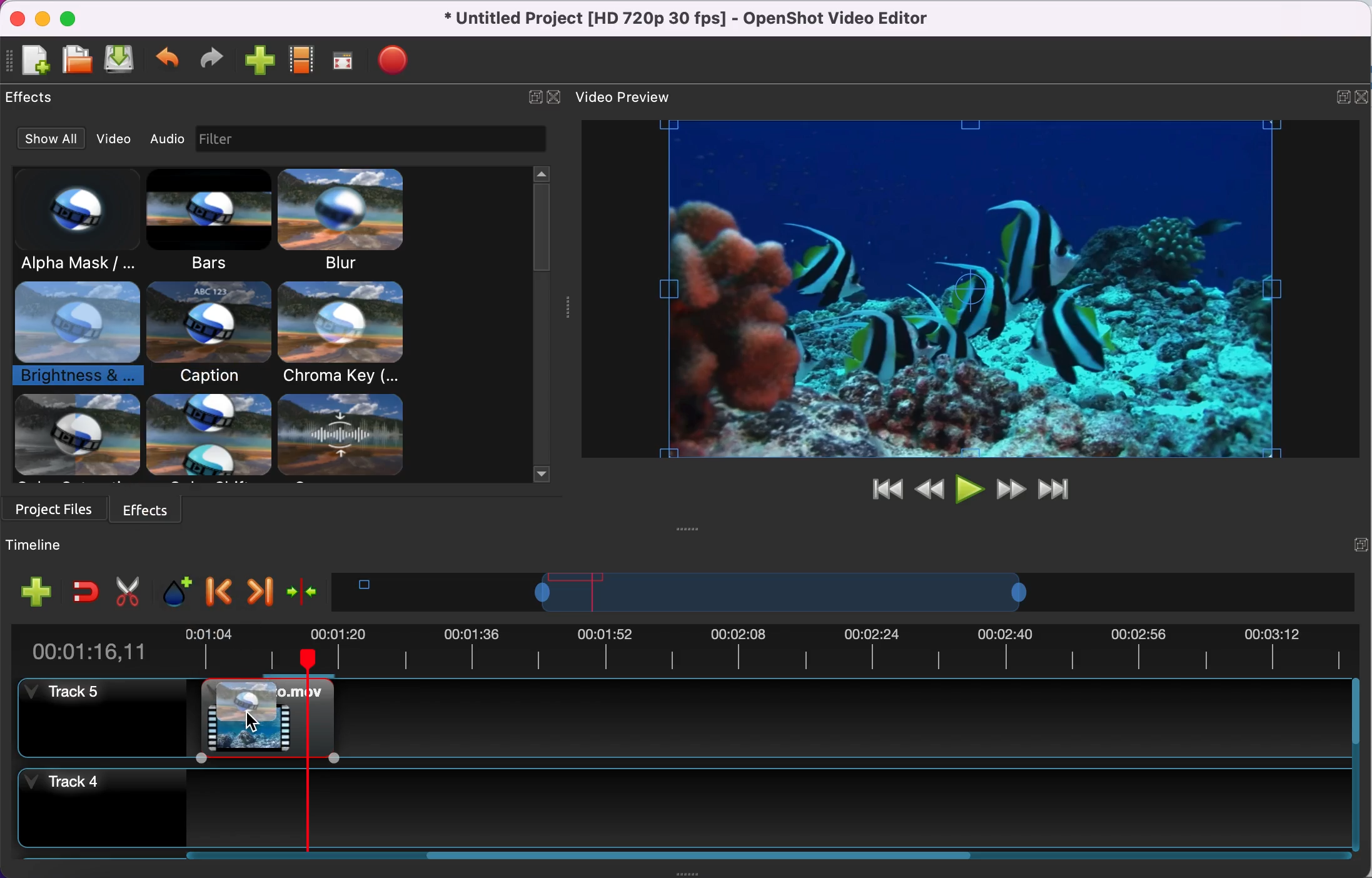 This screenshot has width=1372, height=878. What do you see at coordinates (78, 336) in the screenshot?
I see `brightness and contrast` at bounding box center [78, 336].